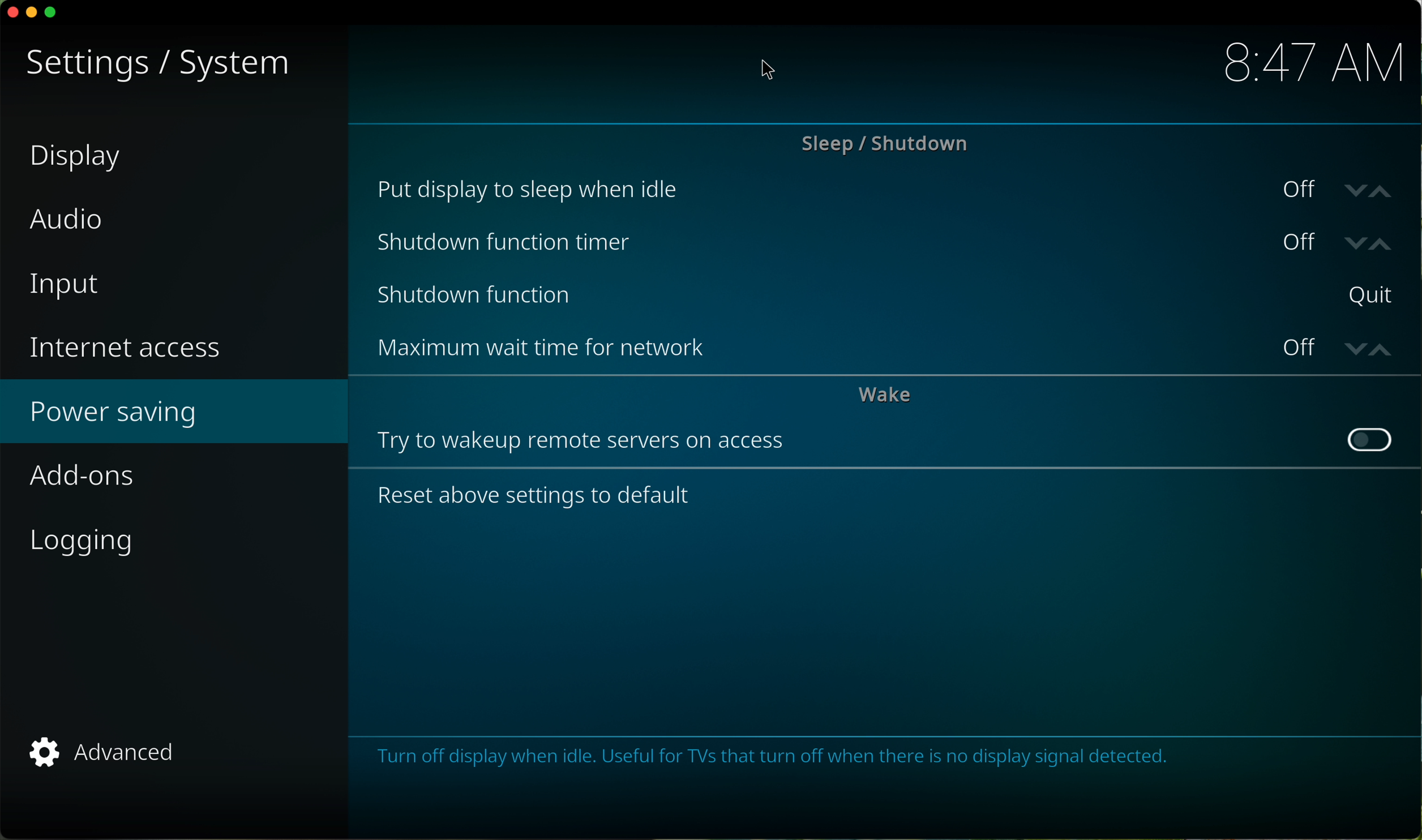 The height and width of the screenshot is (840, 1422). Describe the element at coordinates (887, 144) in the screenshot. I see `sleep/shutdown` at that location.